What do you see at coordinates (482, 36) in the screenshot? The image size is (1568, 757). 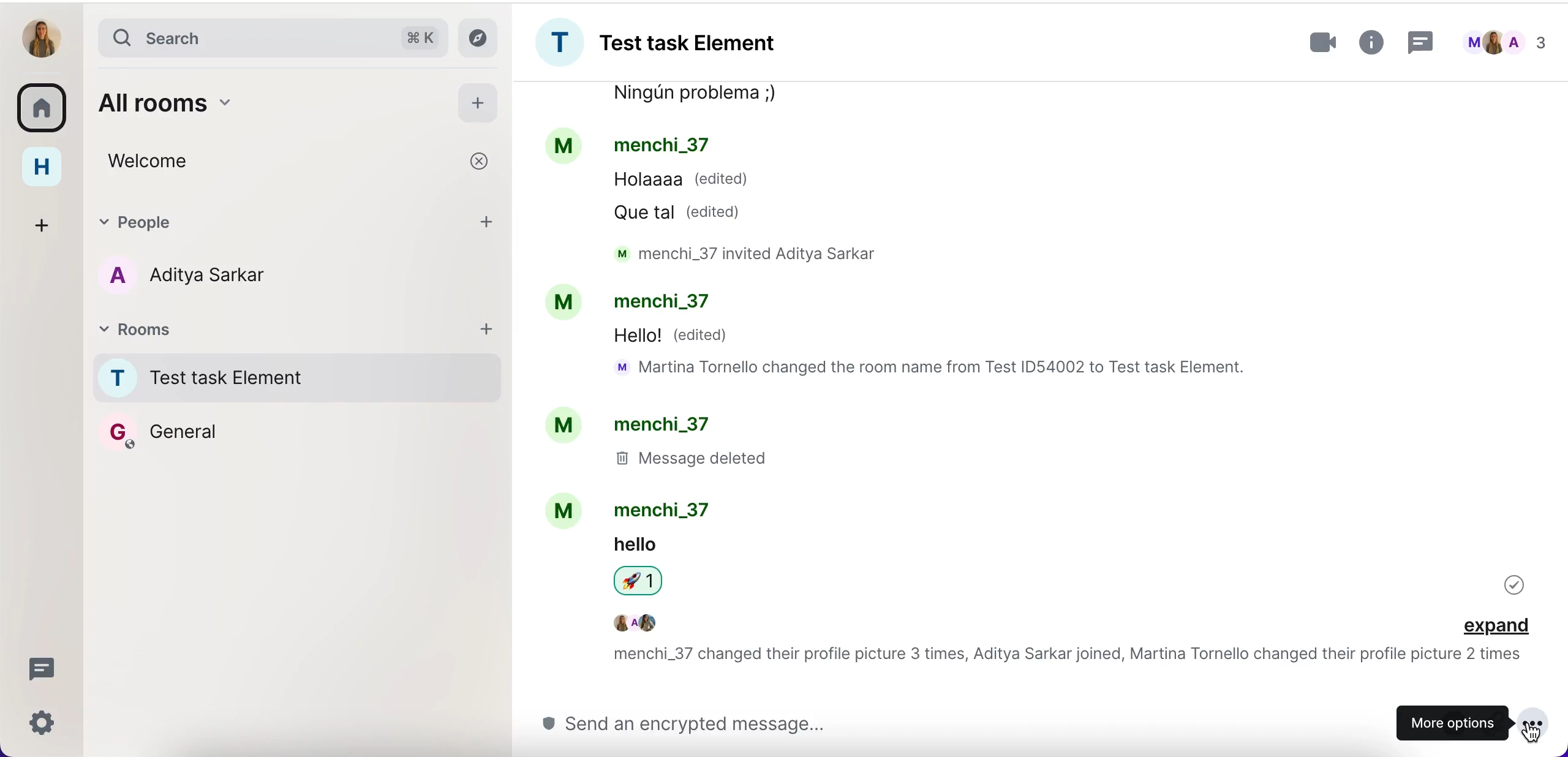 I see `explore rooms` at bounding box center [482, 36].